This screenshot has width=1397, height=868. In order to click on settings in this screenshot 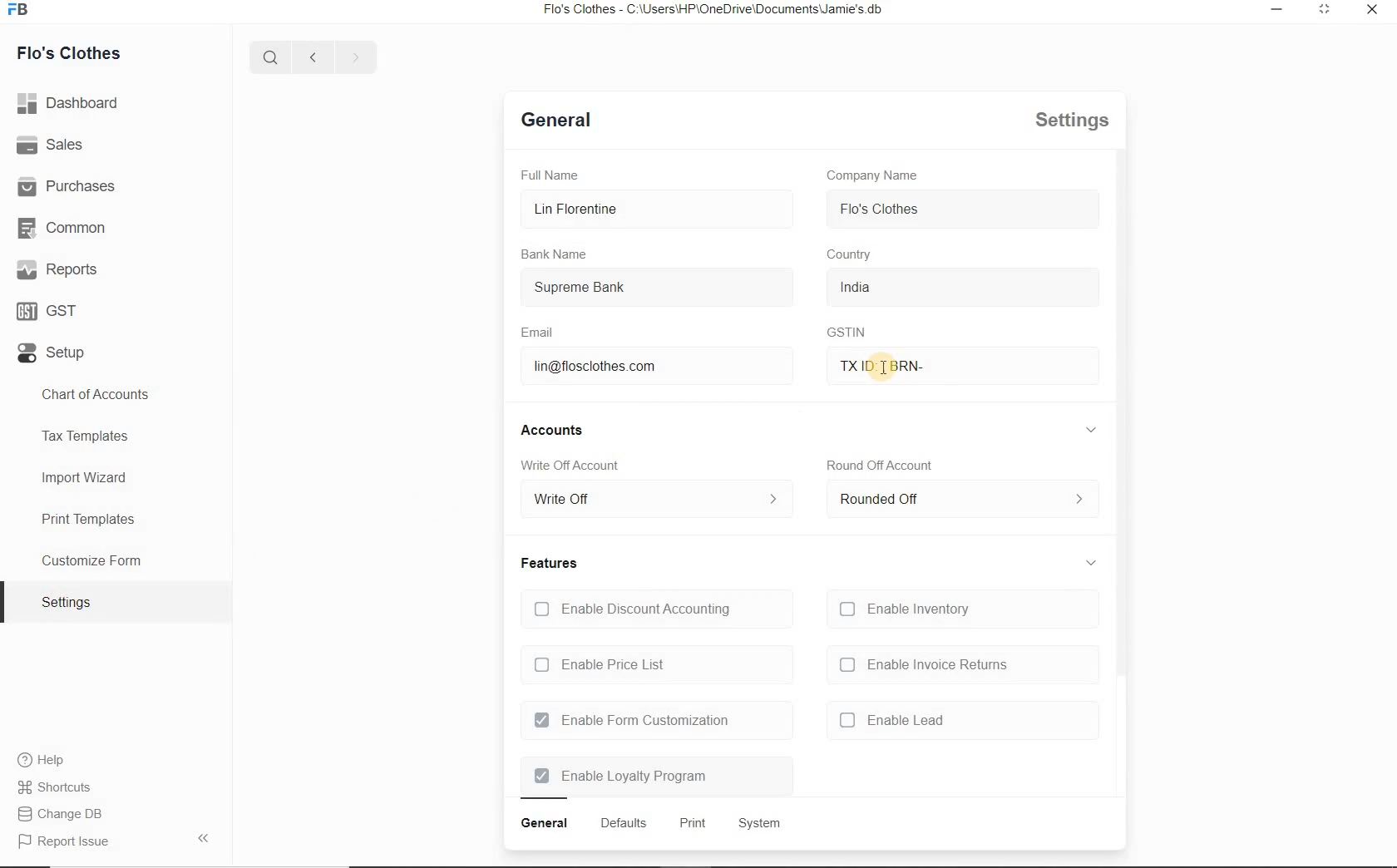, I will do `click(1065, 121)`.